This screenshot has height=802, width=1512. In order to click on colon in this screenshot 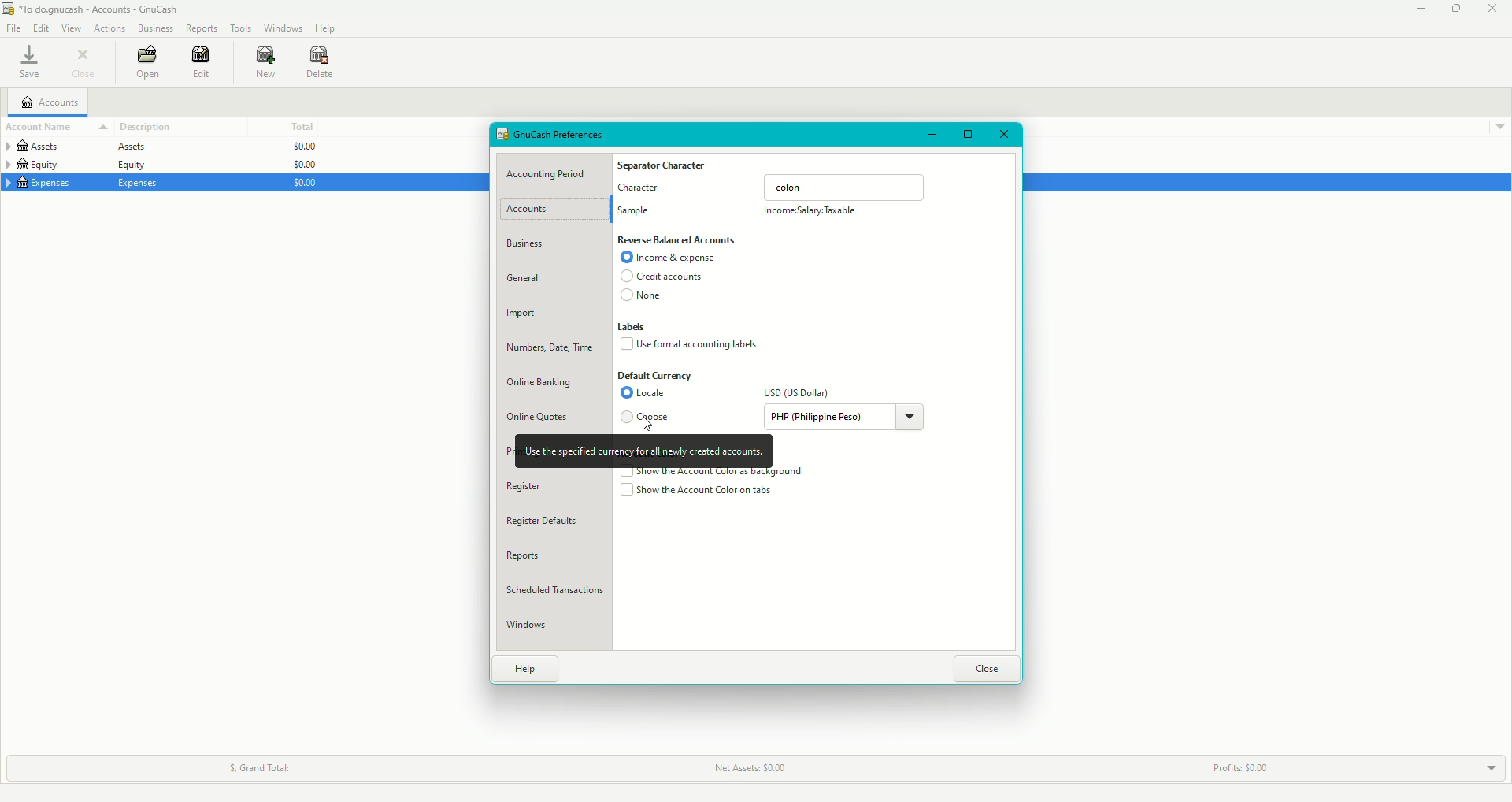, I will do `click(846, 186)`.